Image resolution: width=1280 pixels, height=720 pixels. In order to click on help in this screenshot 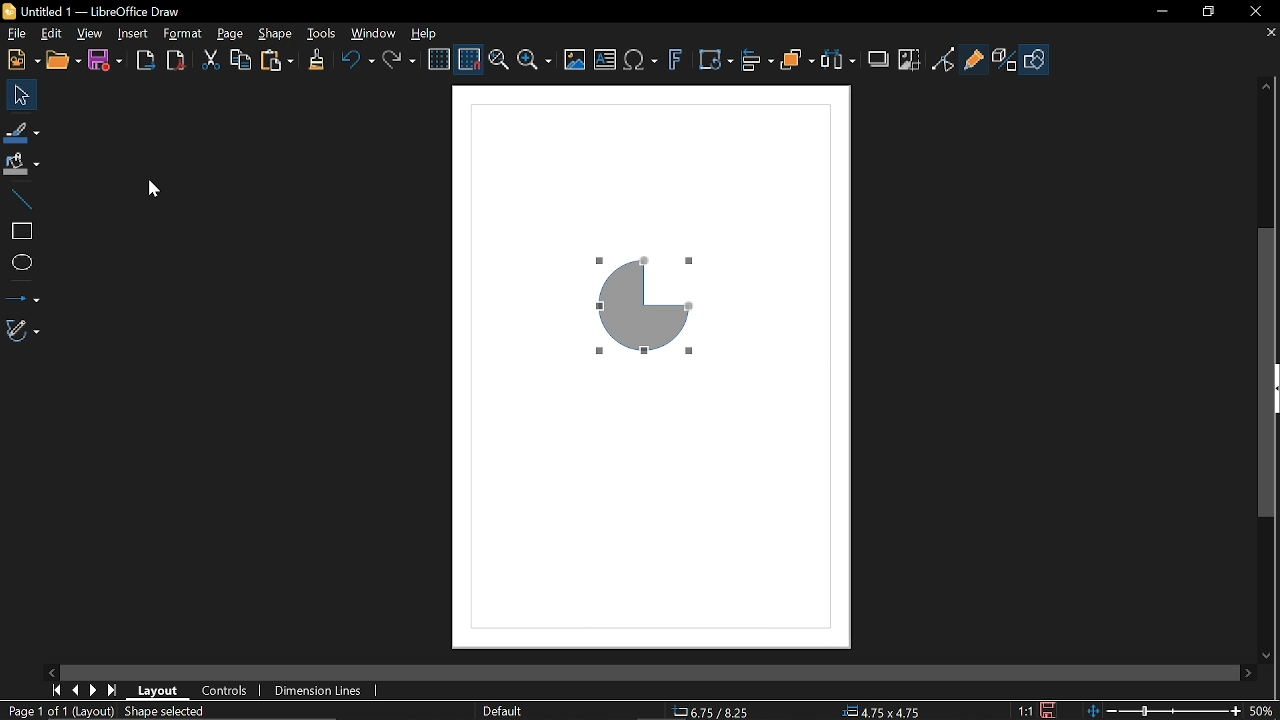, I will do `click(427, 34)`.